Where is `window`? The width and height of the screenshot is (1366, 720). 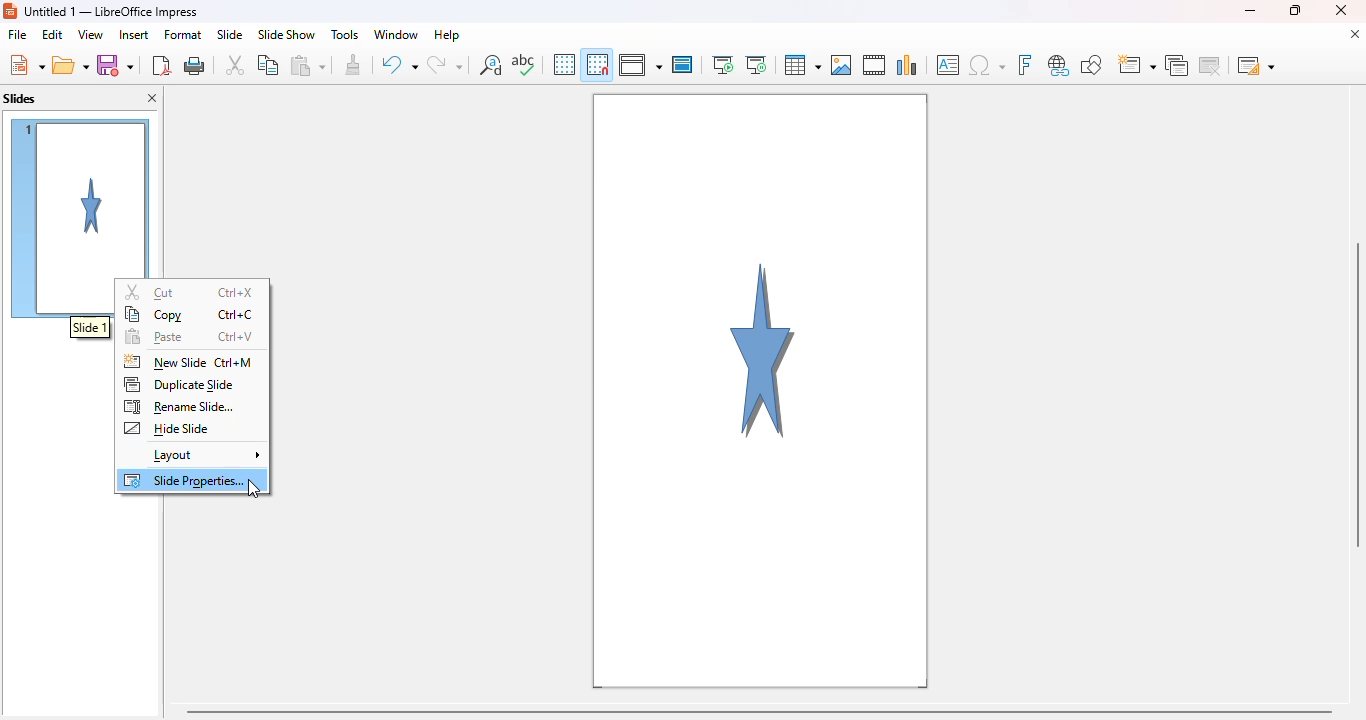
window is located at coordinates (394, 35).